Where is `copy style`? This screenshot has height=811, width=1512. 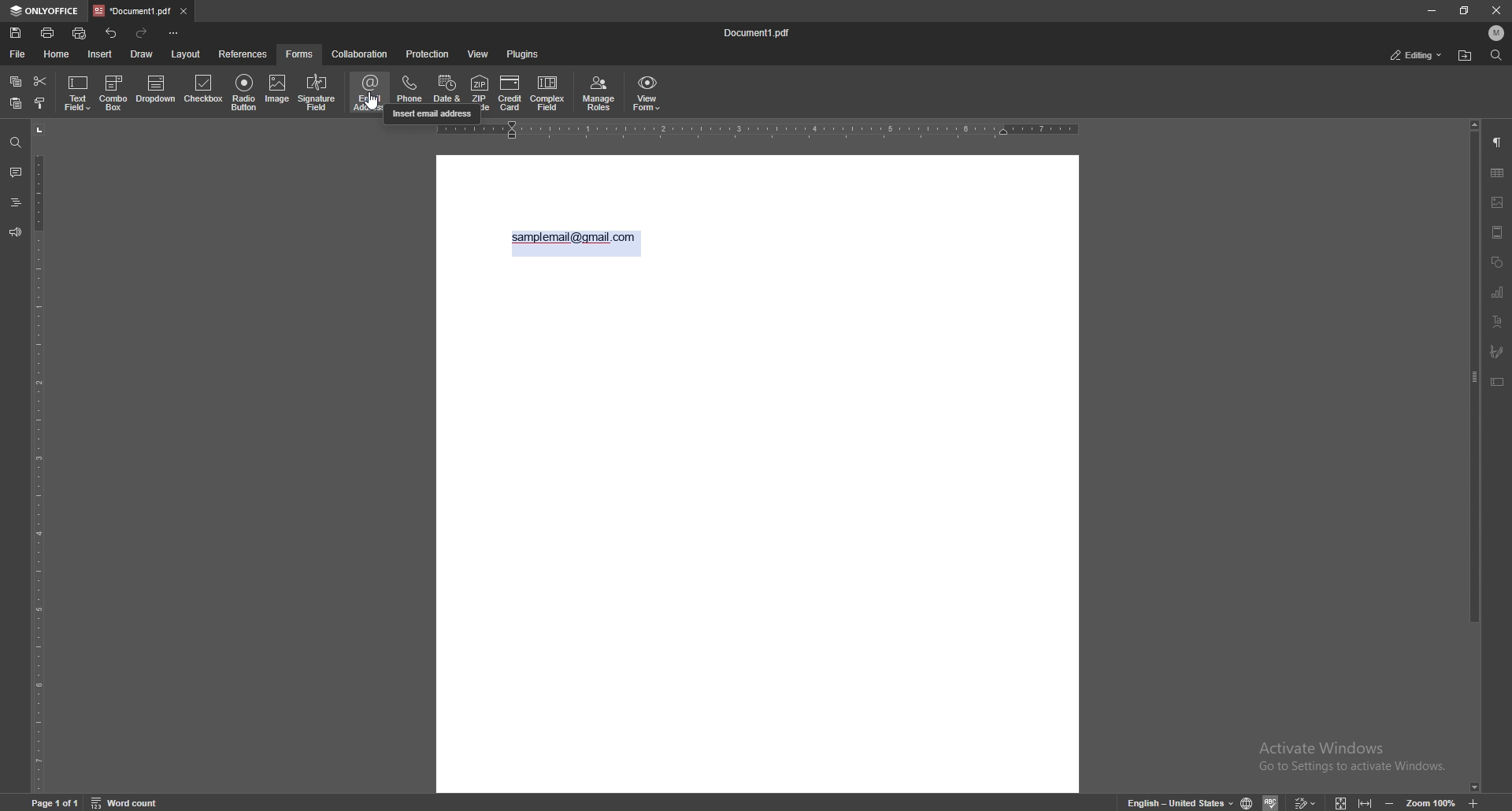 copy style is located at coordinates (39, 104).